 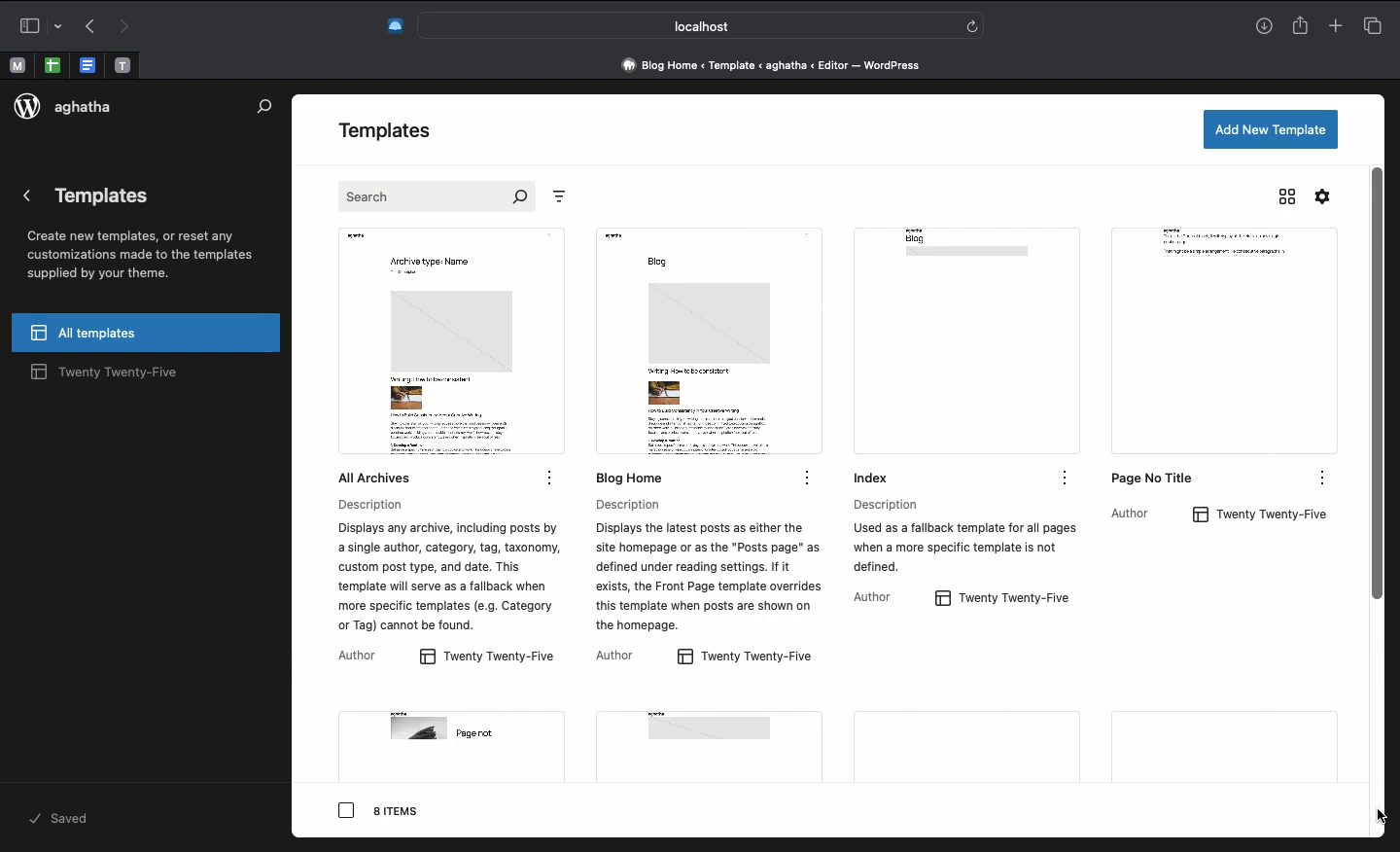 What do you see at coordinates (393, 25) in the screenshot?
I see `Extensions` at bounding box center [393, 25].